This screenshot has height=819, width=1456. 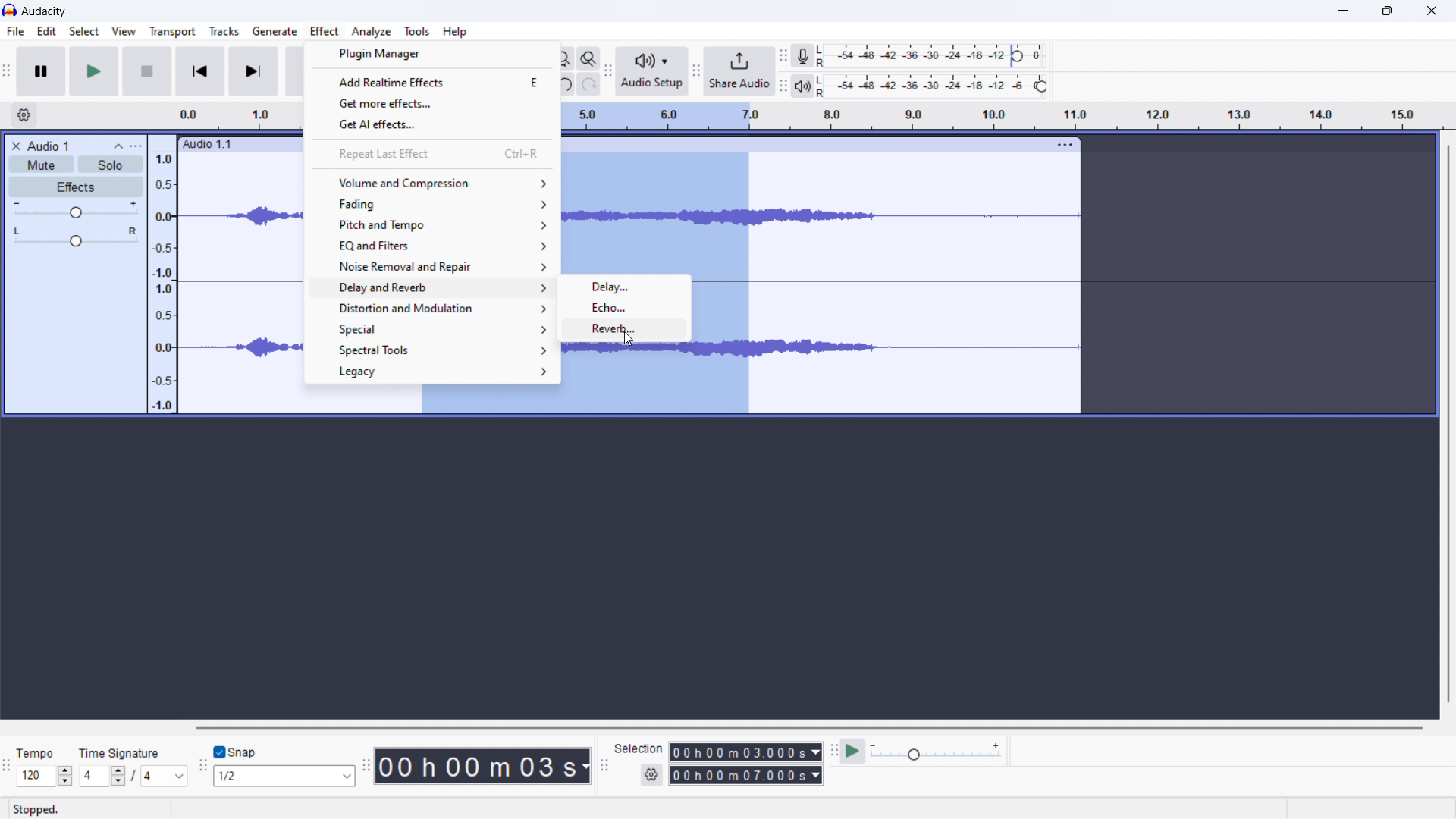 What do you see at coordinates (483, 765) in the screenshot?
I see `00 h 00 m 03 s` at bounding box center [483, 765].